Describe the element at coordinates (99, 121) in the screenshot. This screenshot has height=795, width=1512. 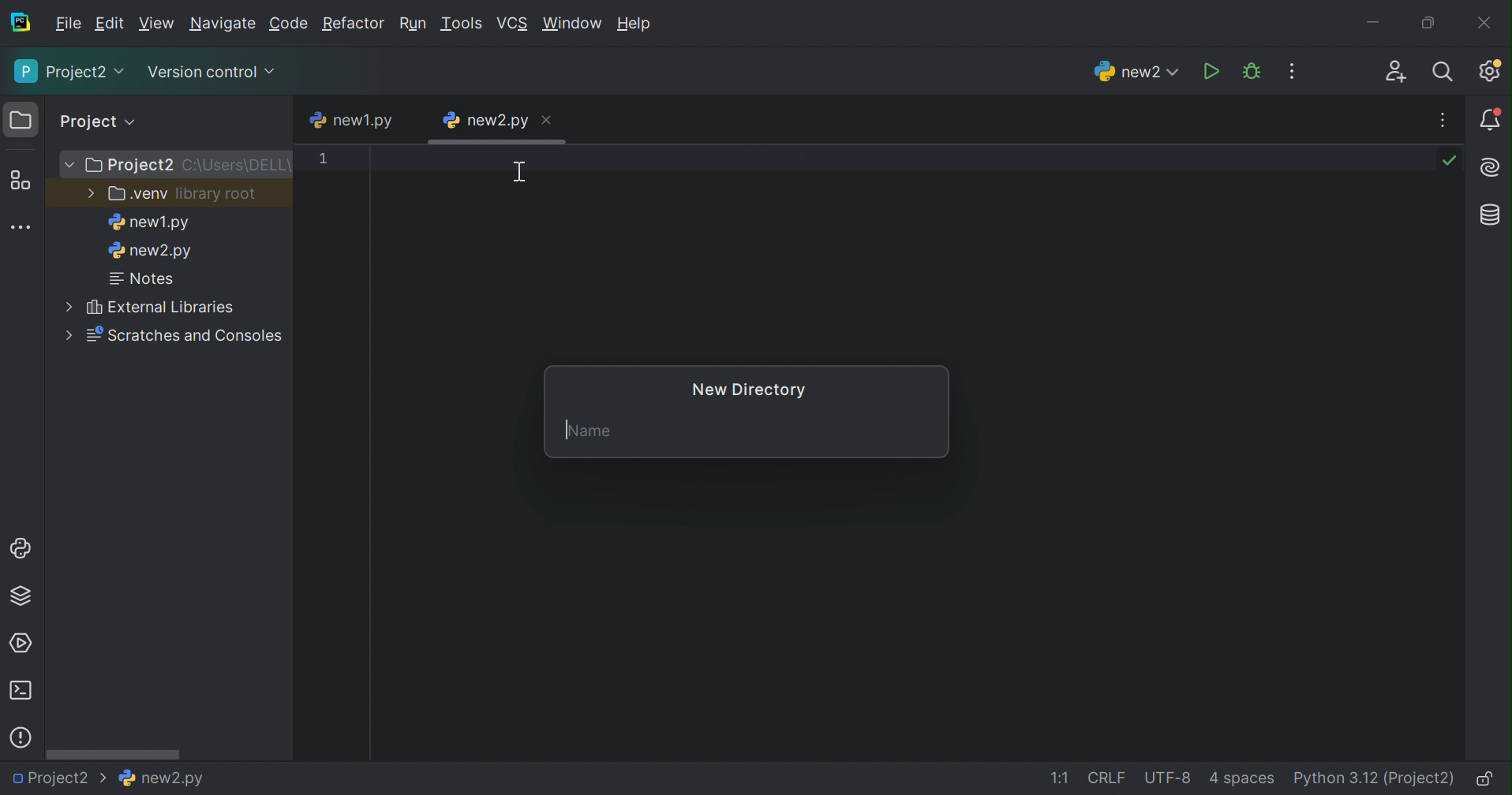
I see `Project` at that location.